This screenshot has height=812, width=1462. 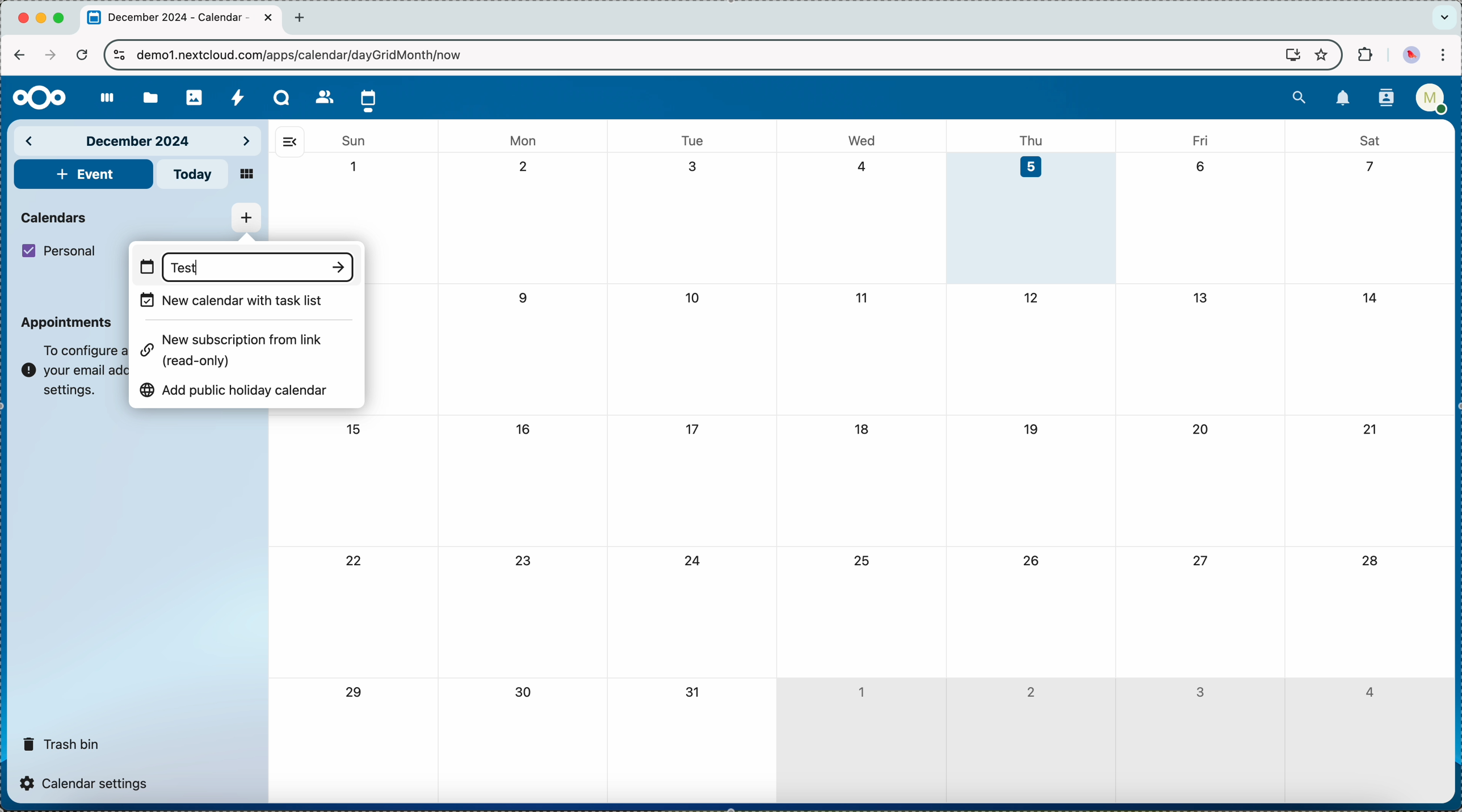 What do you see at coordinates (81, 54) in the screenshot?
I see `refresh the page` at bounding box center [81, 54].